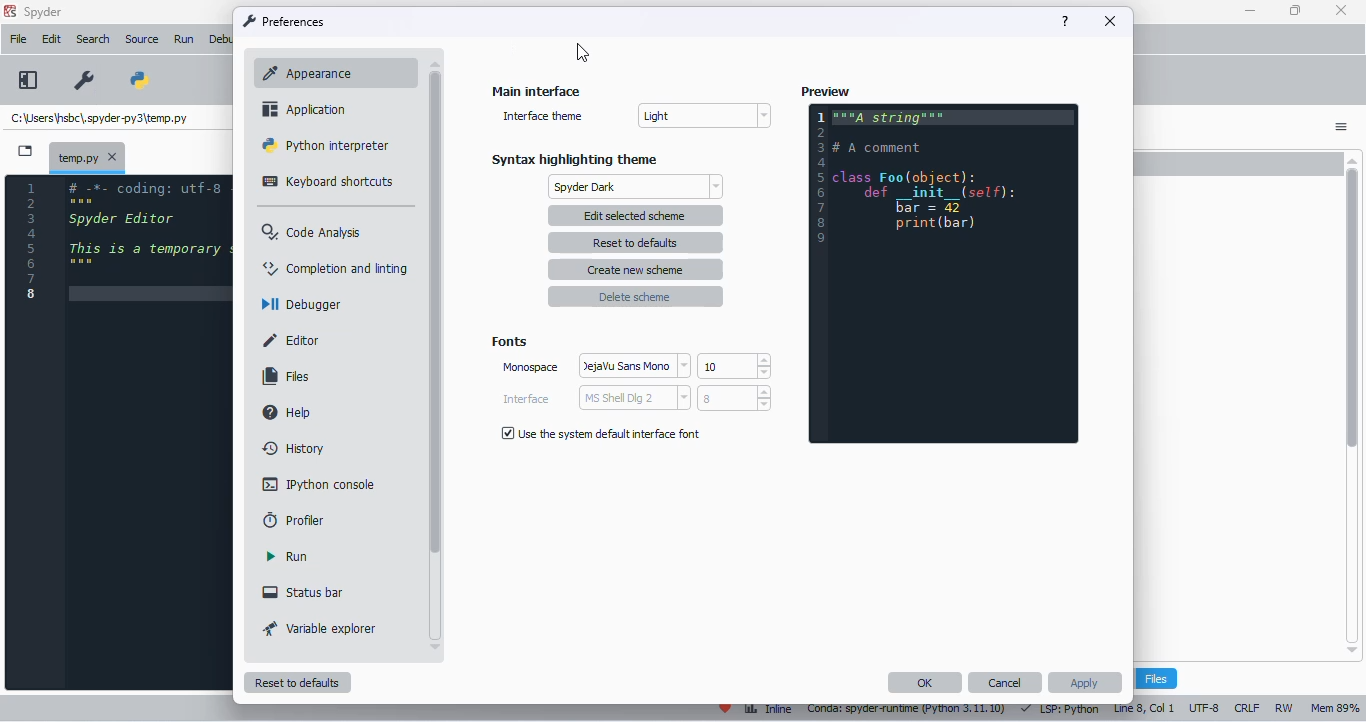 The height and width of the screenshot is (722, 1366). Describe the element at coordinates (768, 710) in the screenshot. I see `inline` at that location.